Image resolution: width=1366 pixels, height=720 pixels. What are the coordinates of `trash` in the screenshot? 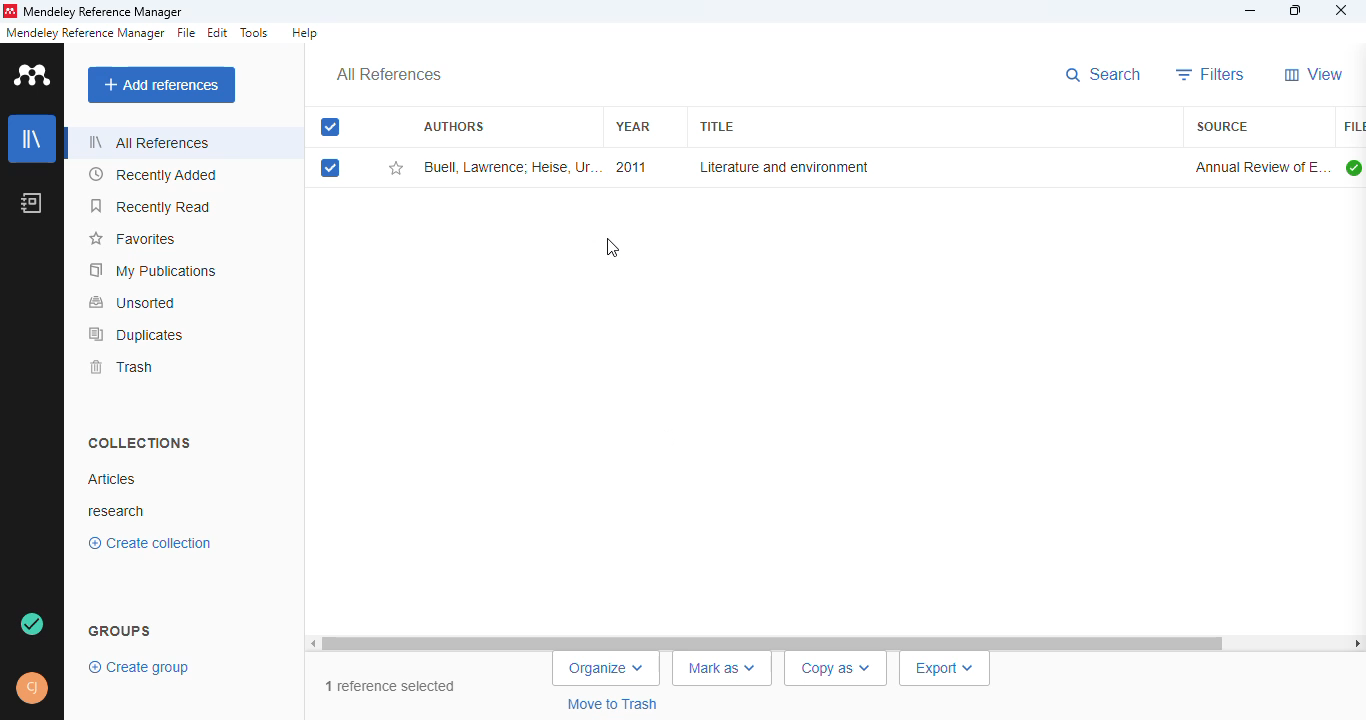 It's located at (122, 367).